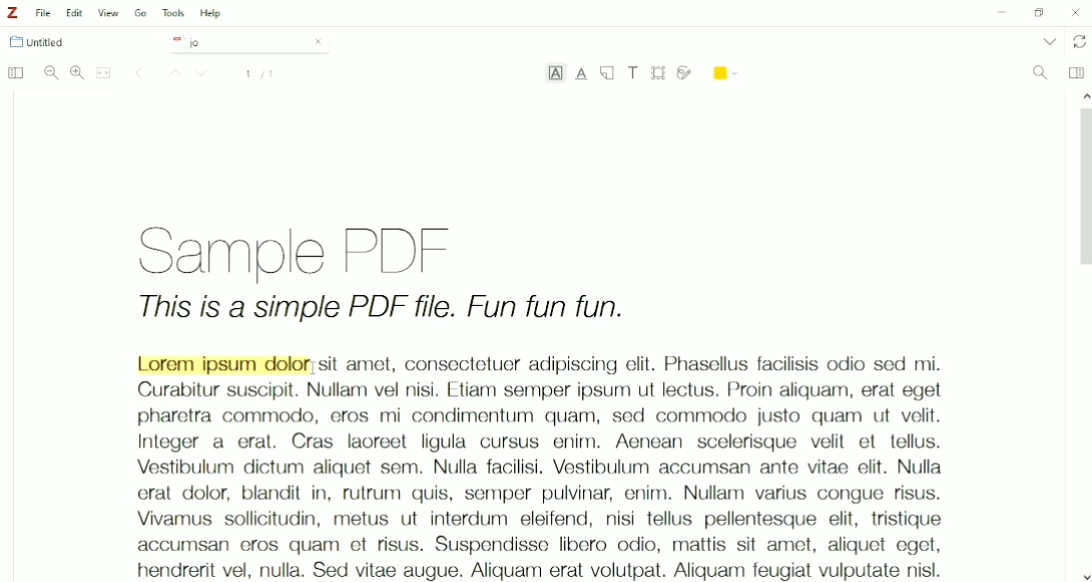 The width and height of the screenshot is (1092, 582). Describe the element at coordinates (260, 74) in the screenshot. I see `Page number` at that location.